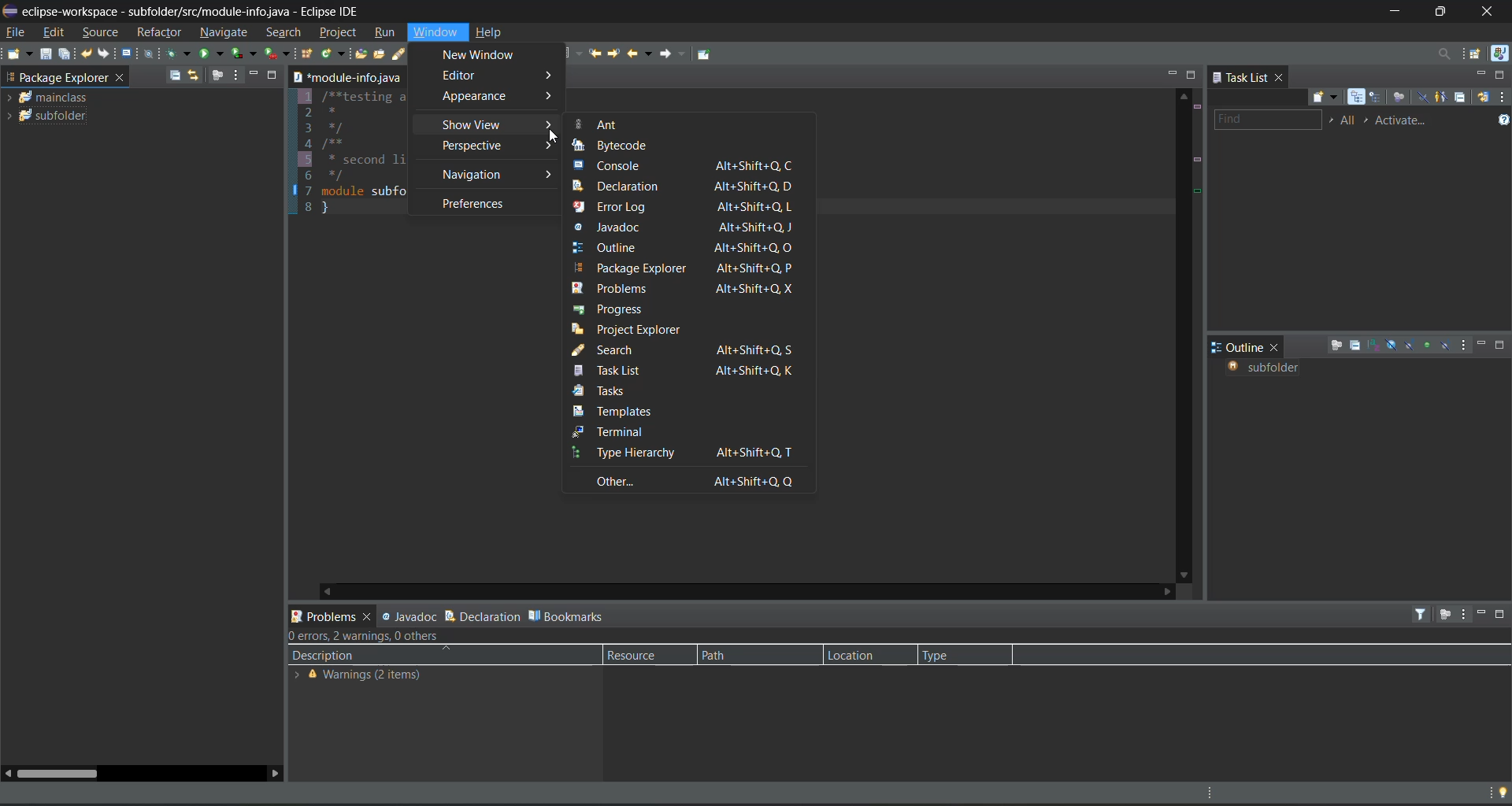 Image resolution: width=1512 pixels, height=806 pixels. Describe the element at coordinates (339, 31) in the screenshot. I see `project` at that location.